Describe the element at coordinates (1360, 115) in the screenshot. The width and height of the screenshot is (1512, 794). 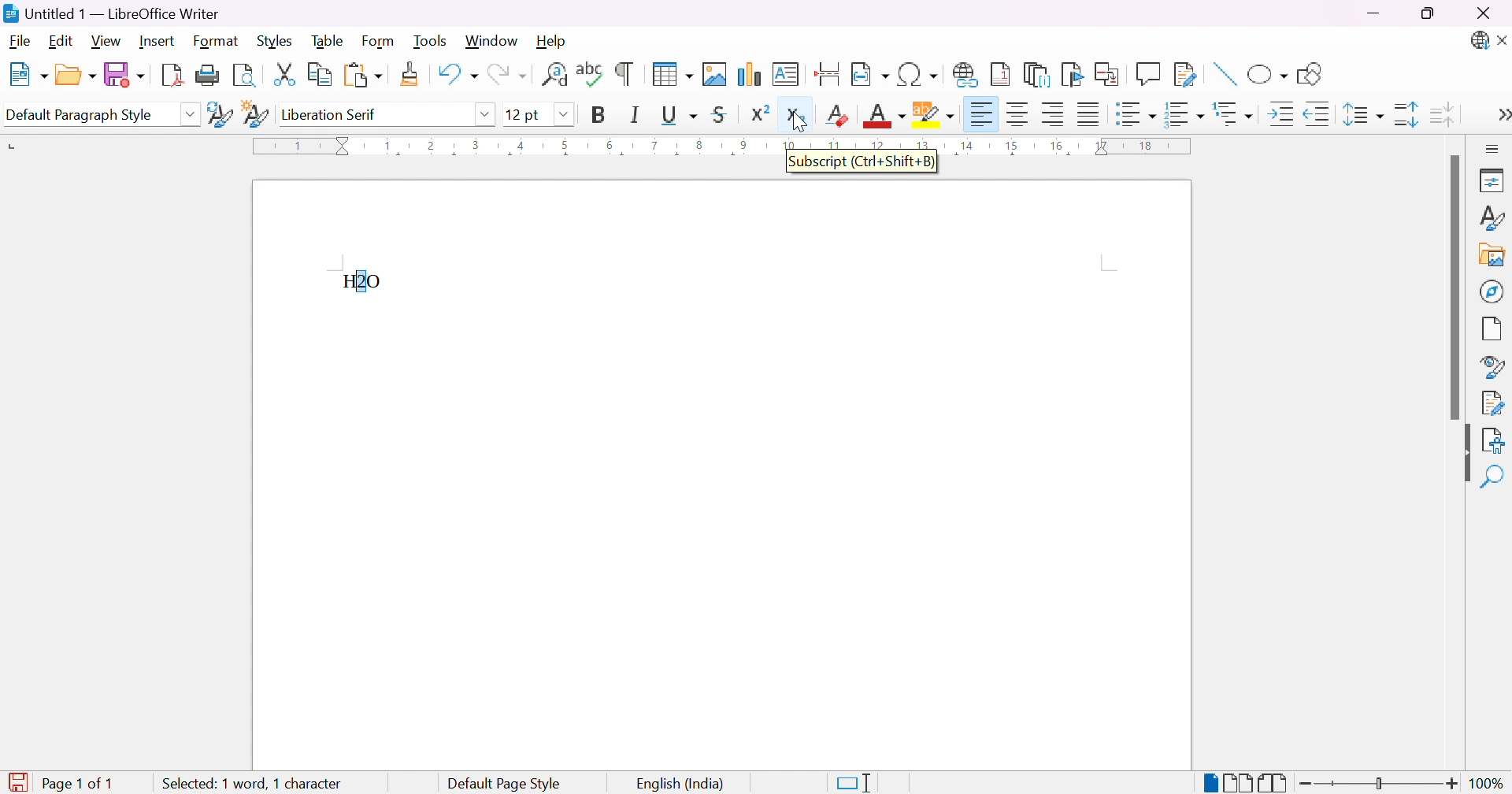
I see `Set line spacing` at that location.